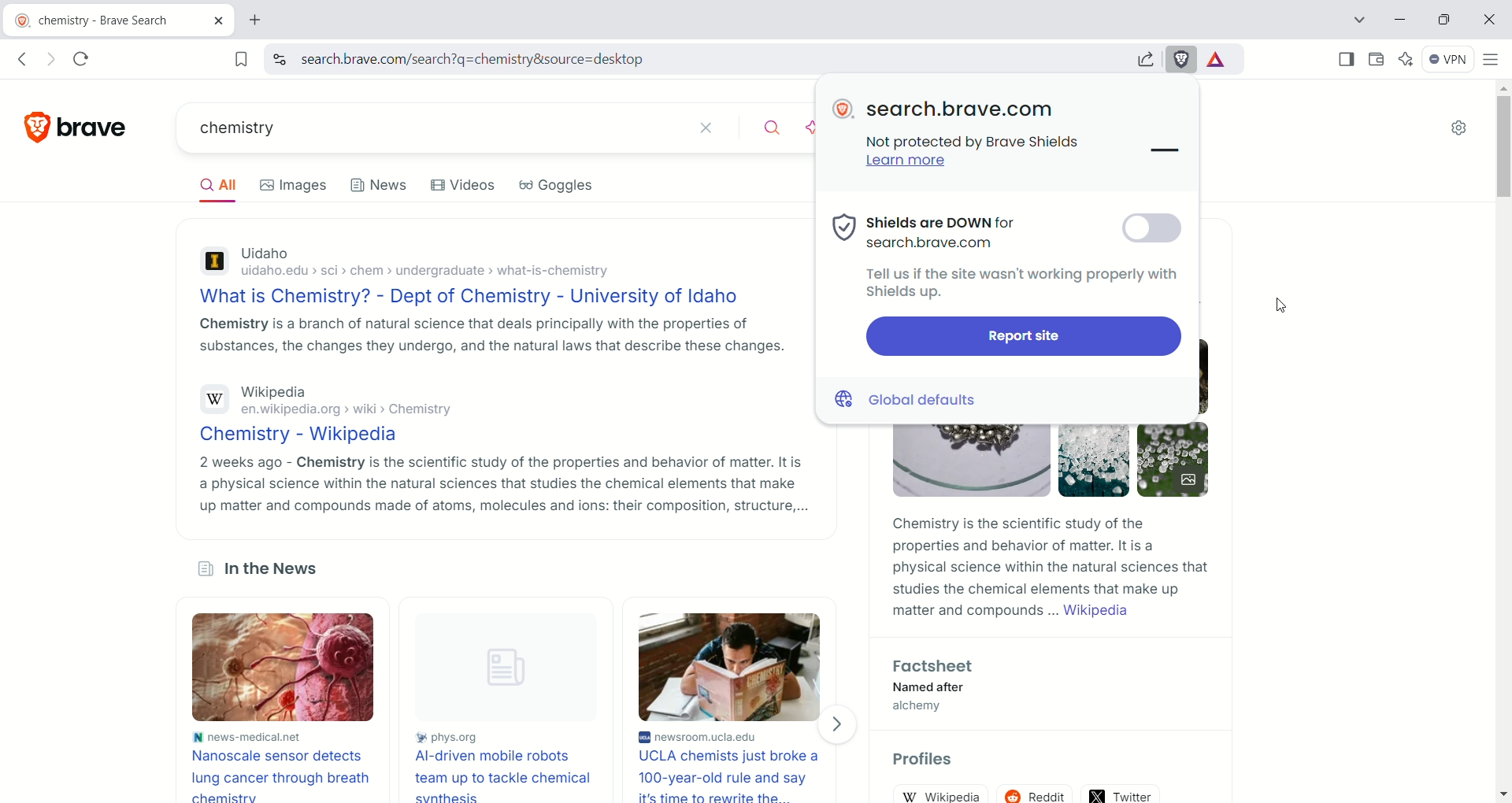  What do you see at coordinates (939, 666) in the screenshot?
I see `Factsheet` at bounding box center [939, 666].